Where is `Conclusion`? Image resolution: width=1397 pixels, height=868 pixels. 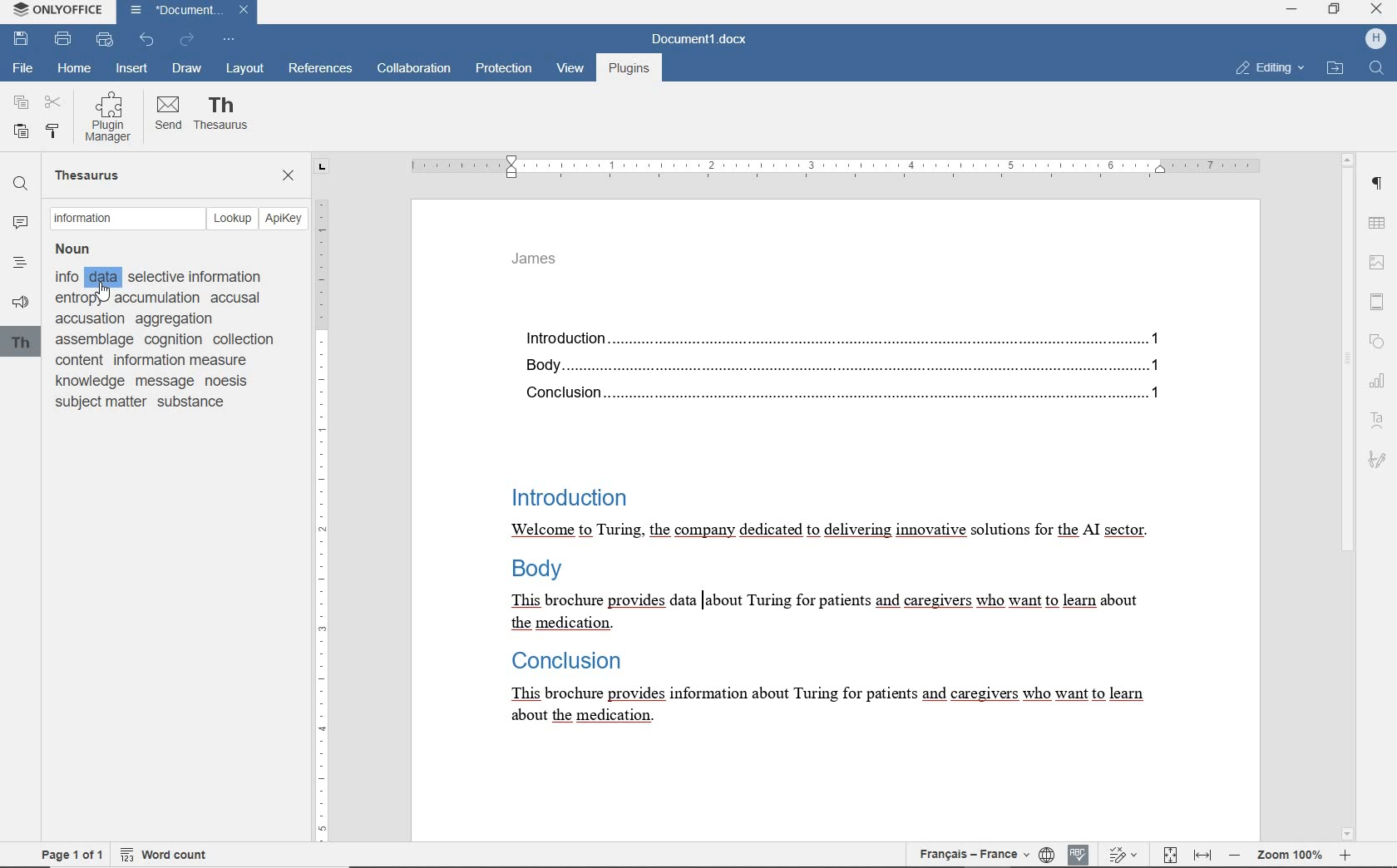 Conclusion is located at coordinates (569, 662).